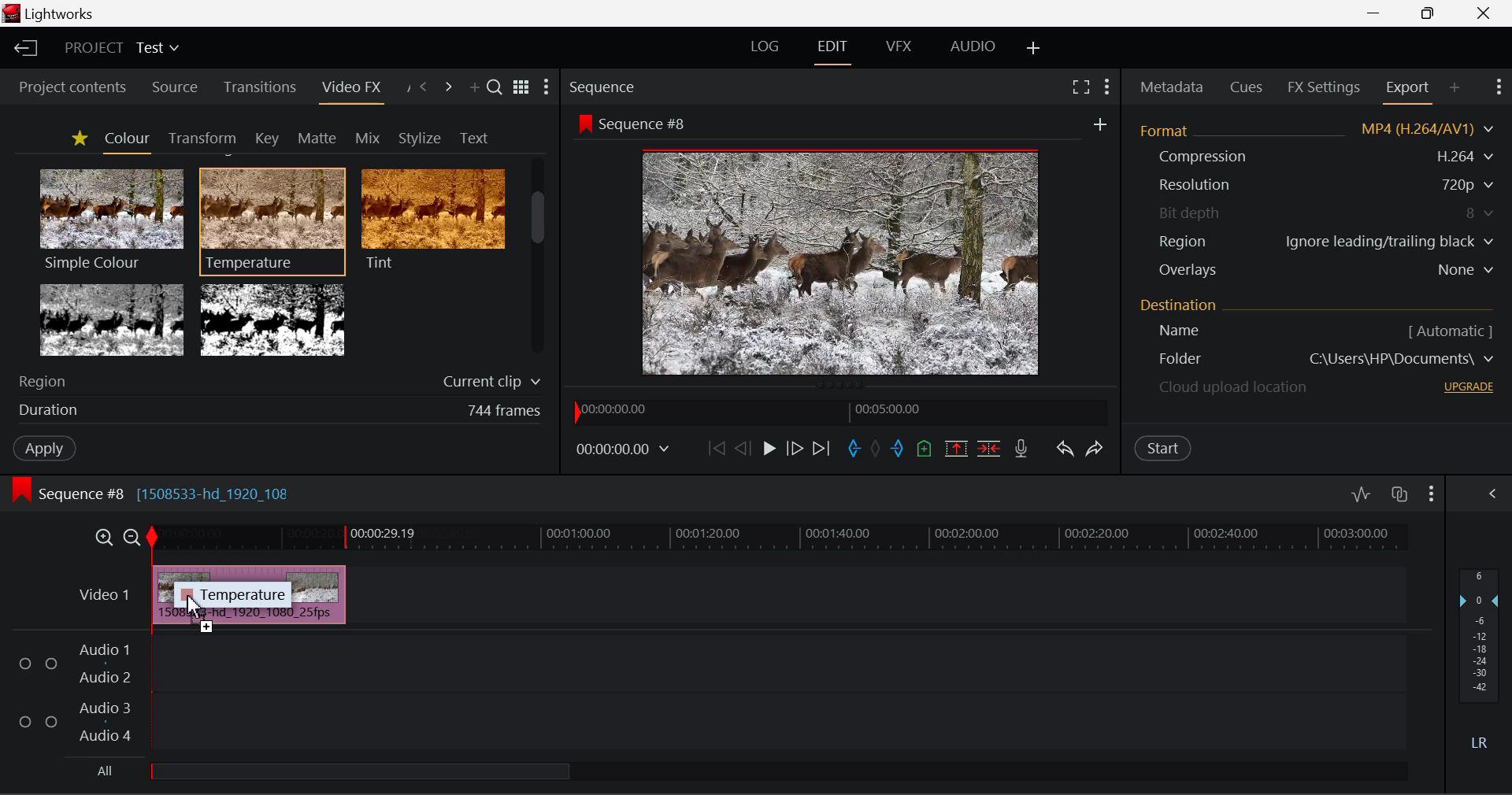 The image size is (1512, 795). Describe the element at coordinates (891, 409) in the screenshot. I see `00:05:00.00` at that location.